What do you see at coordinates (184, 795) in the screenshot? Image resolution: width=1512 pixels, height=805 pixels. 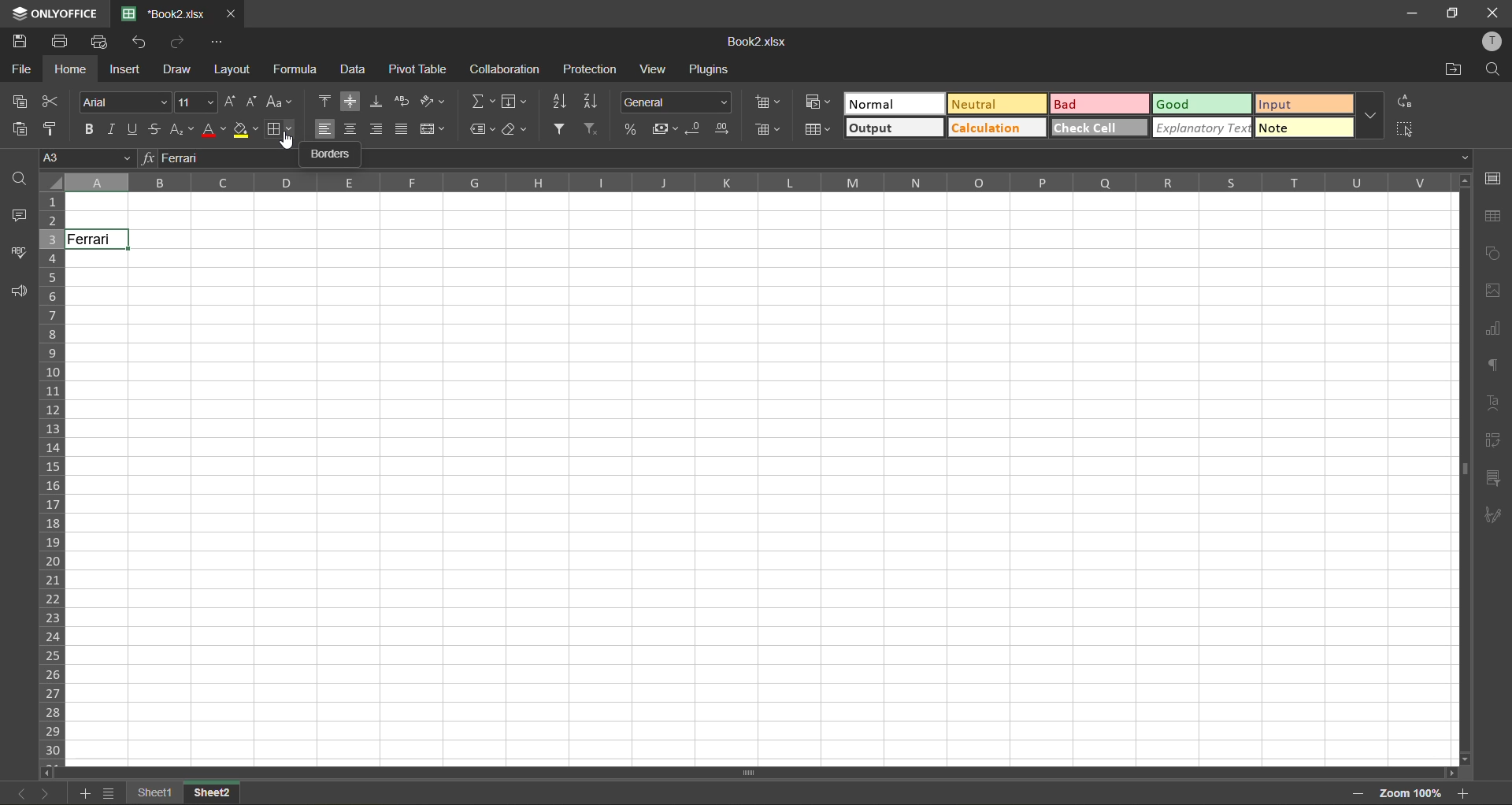 I see `sheet names` at bounding box center [184, 795].